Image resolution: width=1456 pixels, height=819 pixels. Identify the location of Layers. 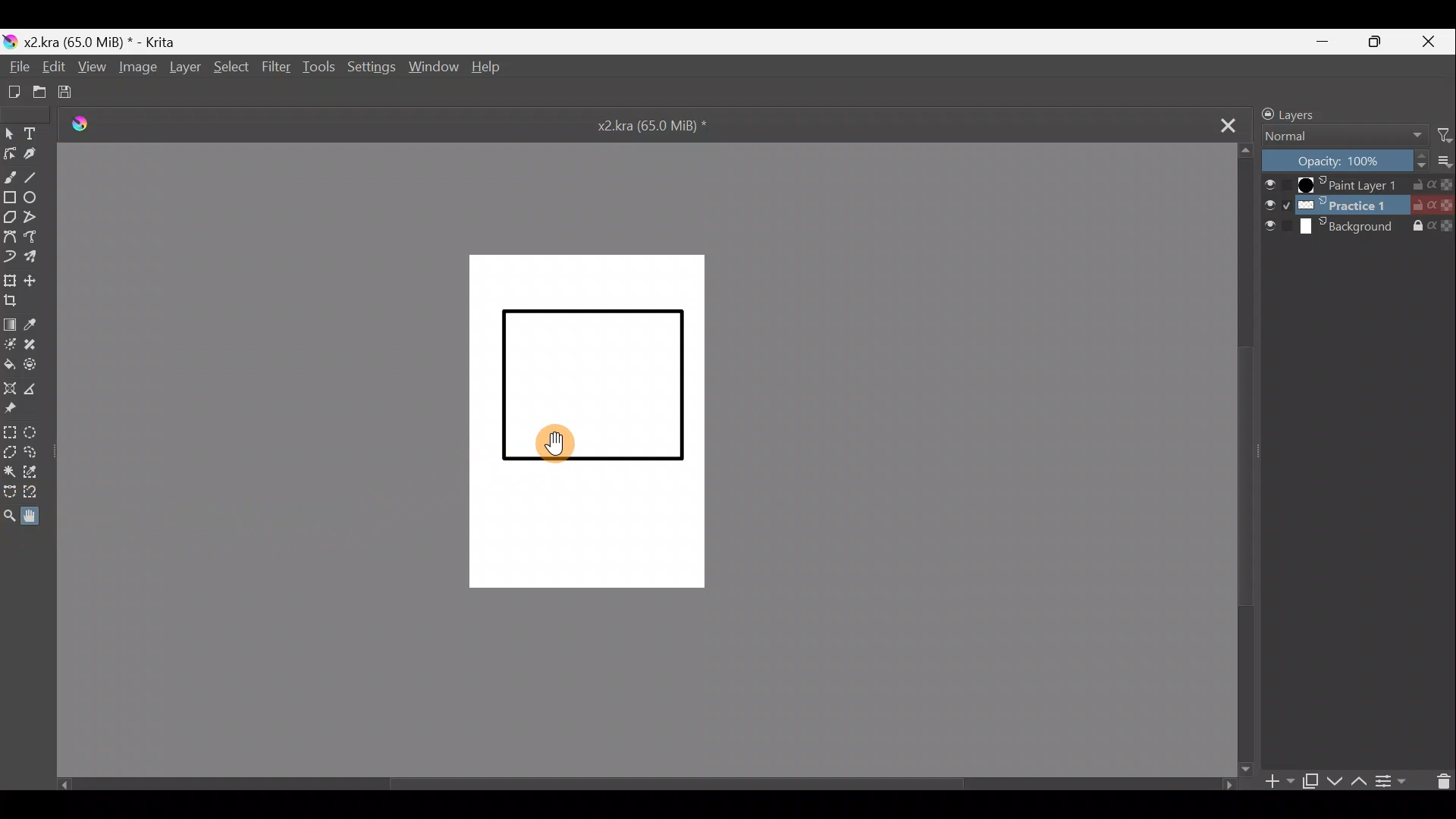
(1323, 114).